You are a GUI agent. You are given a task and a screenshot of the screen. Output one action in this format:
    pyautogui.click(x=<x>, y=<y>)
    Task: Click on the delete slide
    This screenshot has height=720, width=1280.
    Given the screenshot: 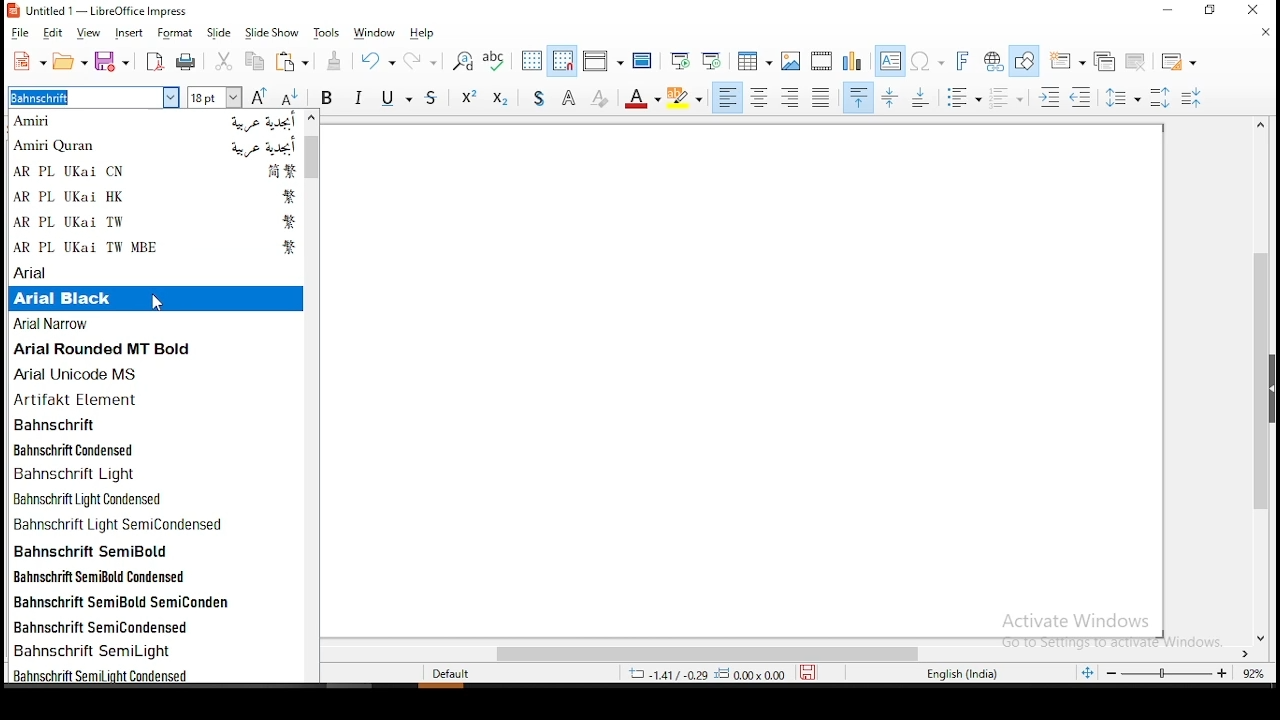 What is the action you would take?
    pyautogui.click(x=1135, y=63)
    